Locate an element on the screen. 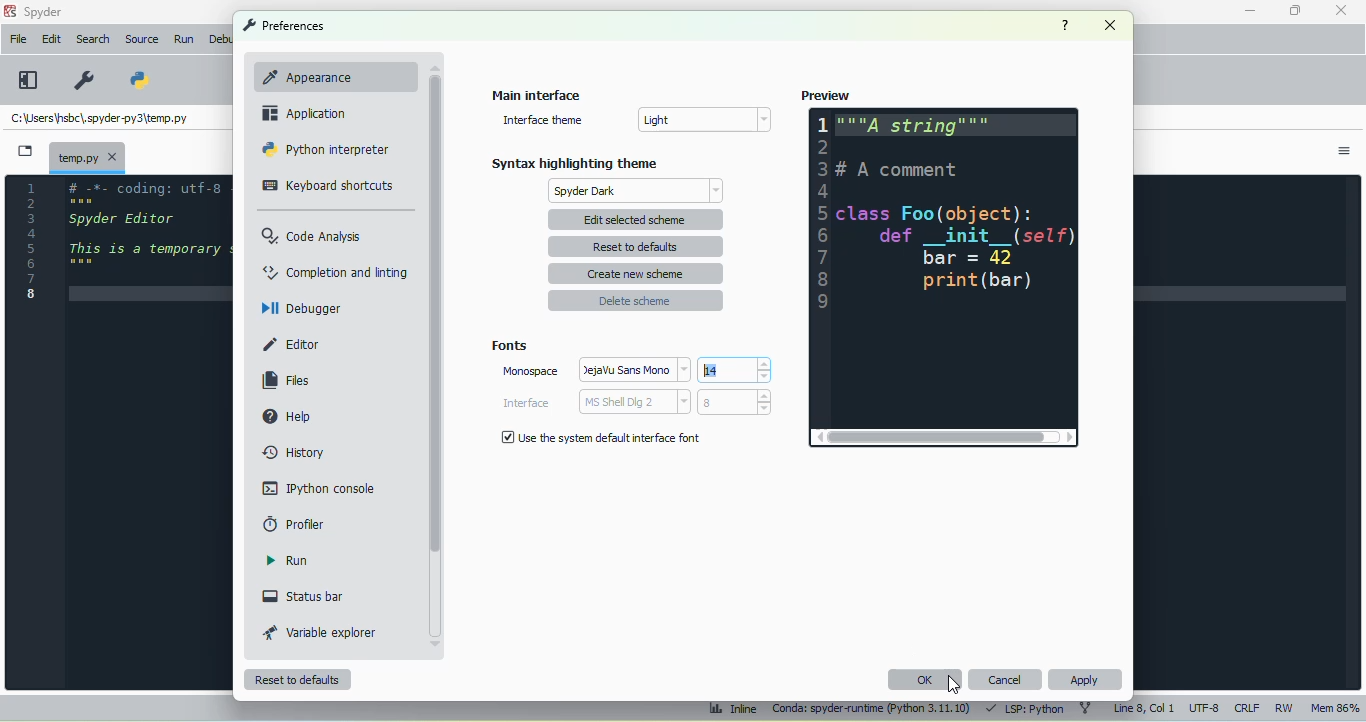 This screenshot has height=722, width=1366. 14 is located at coordinates (727, 369).